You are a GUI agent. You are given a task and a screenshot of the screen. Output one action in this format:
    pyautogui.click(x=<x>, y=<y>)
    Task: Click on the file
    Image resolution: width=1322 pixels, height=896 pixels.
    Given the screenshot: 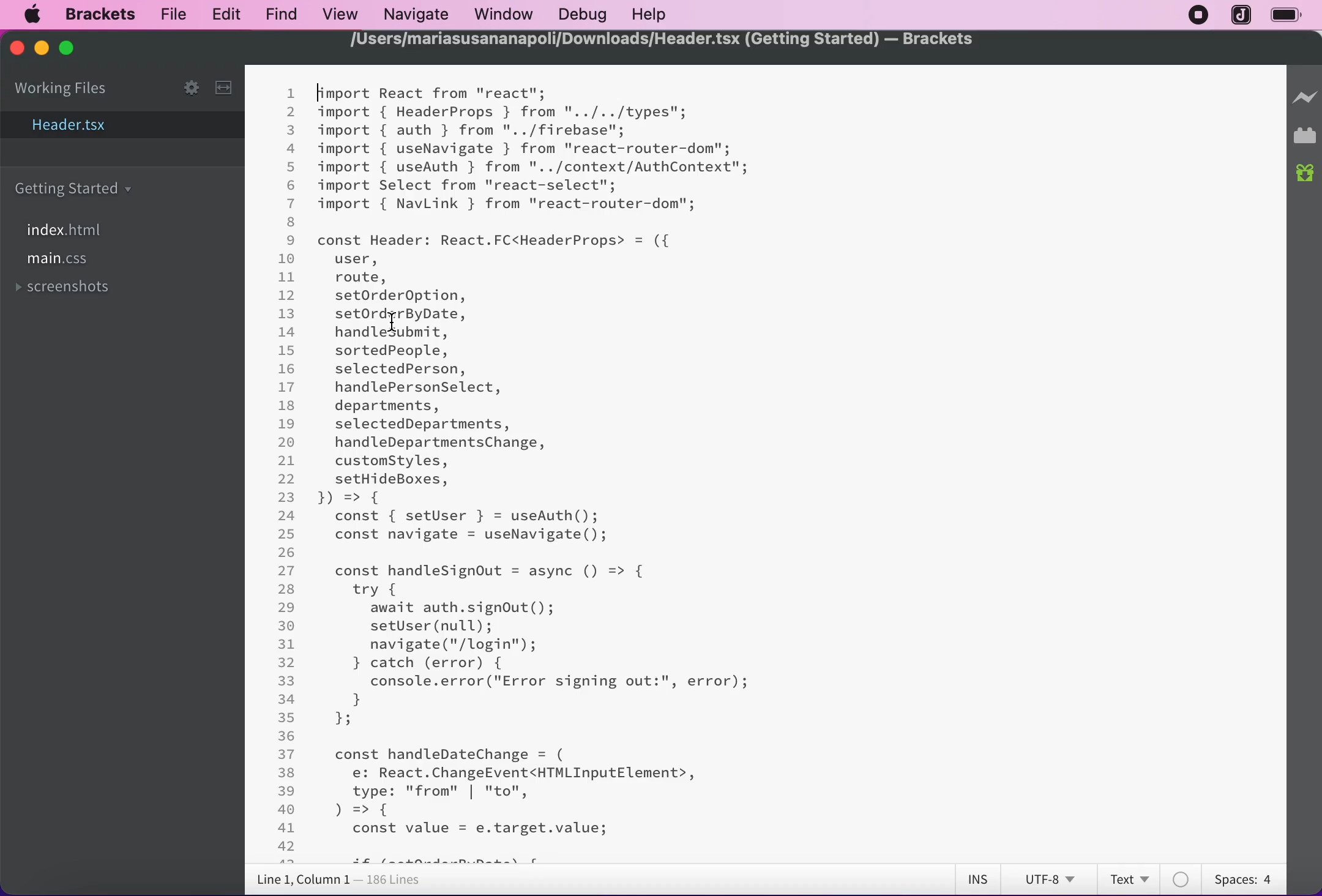 What is the action you would take?
    pyautogui.click(x=170, y=13)
    